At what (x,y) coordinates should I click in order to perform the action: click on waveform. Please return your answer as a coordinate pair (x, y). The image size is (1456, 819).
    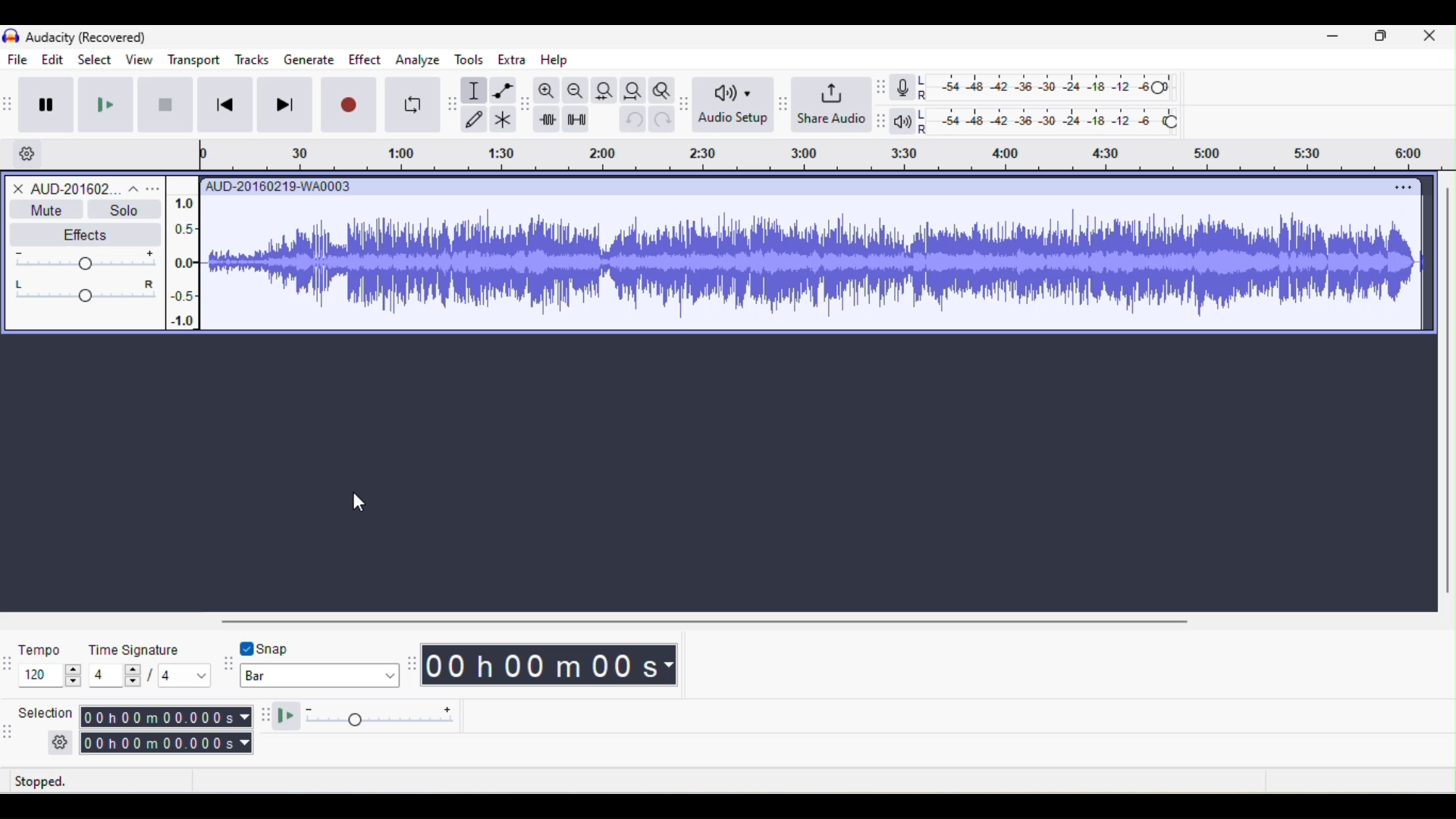
    Looking at the image, I should click on (813, 265).